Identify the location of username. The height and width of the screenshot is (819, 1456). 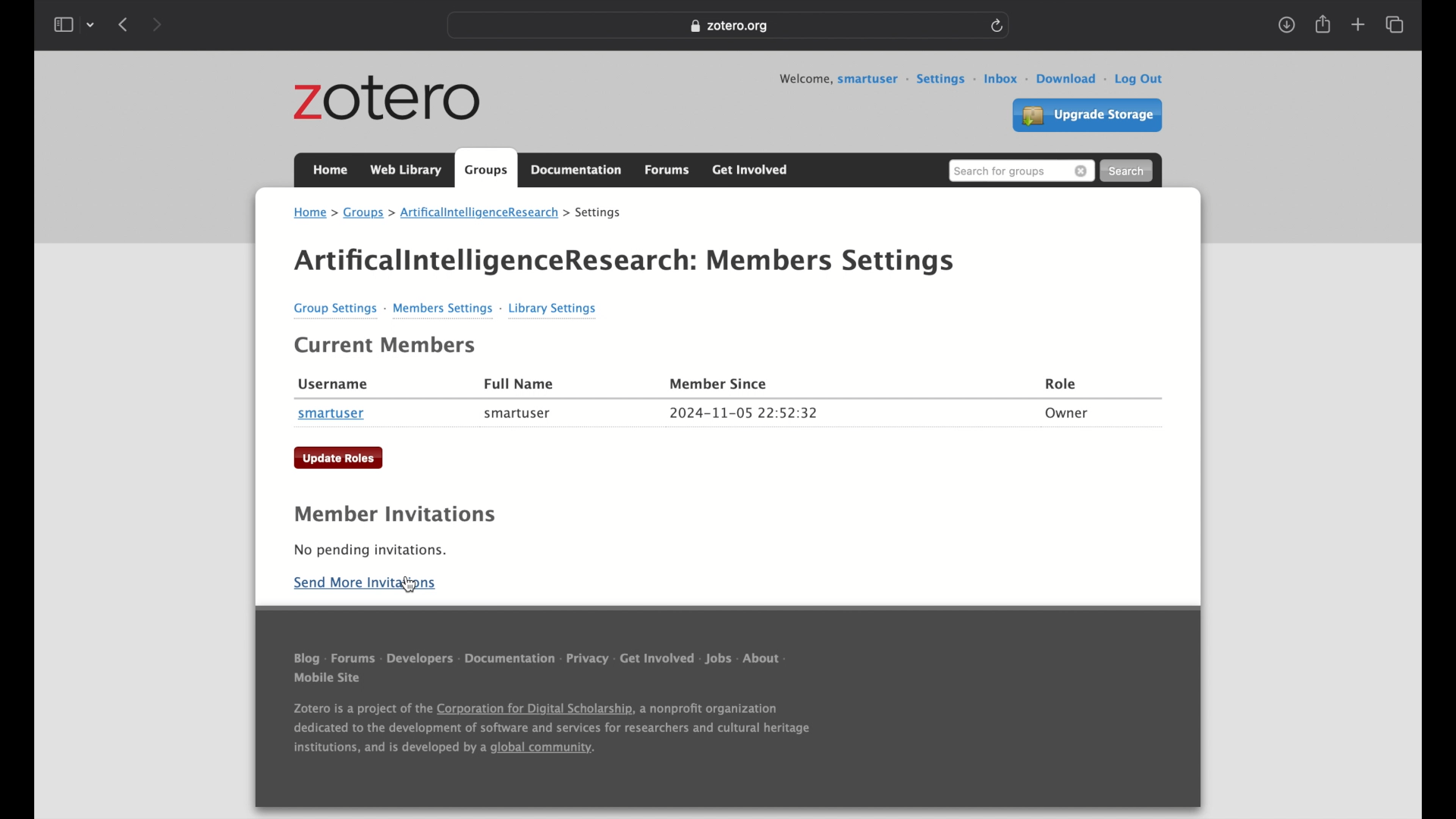
(334, 384).